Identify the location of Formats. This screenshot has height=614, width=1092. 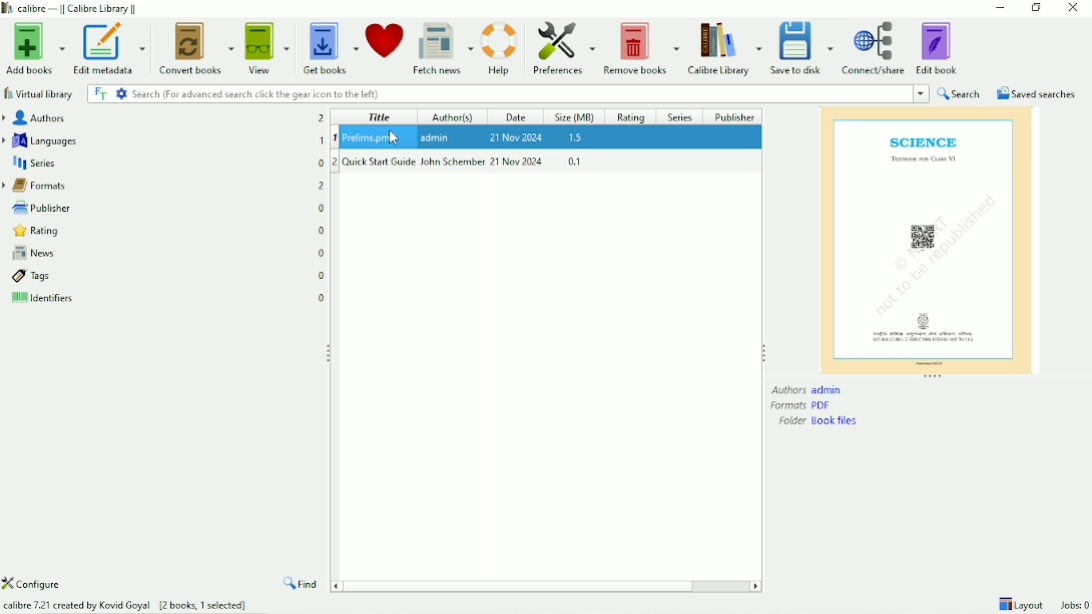
(38, 186).